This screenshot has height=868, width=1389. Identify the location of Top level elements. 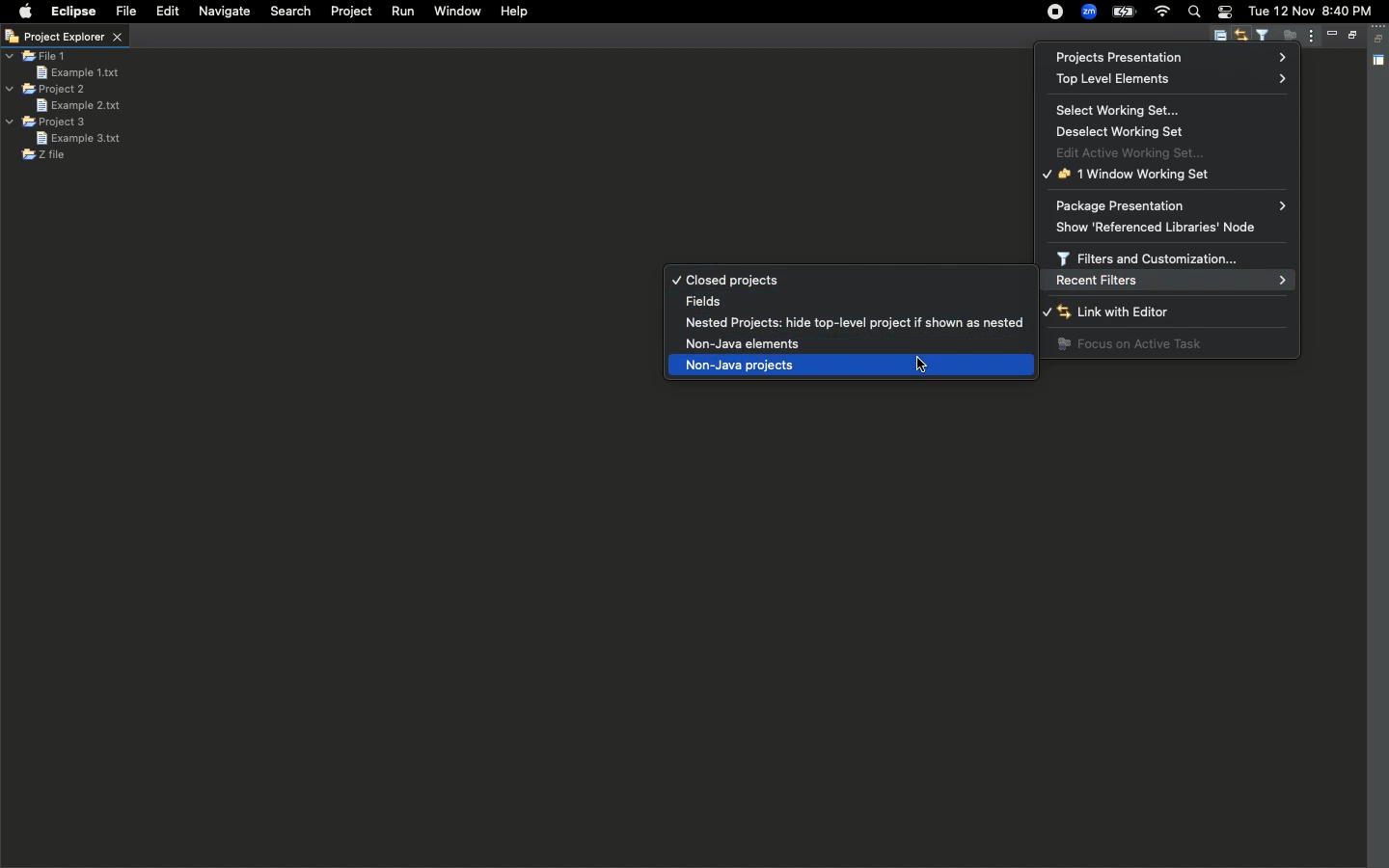
(1171, 80).